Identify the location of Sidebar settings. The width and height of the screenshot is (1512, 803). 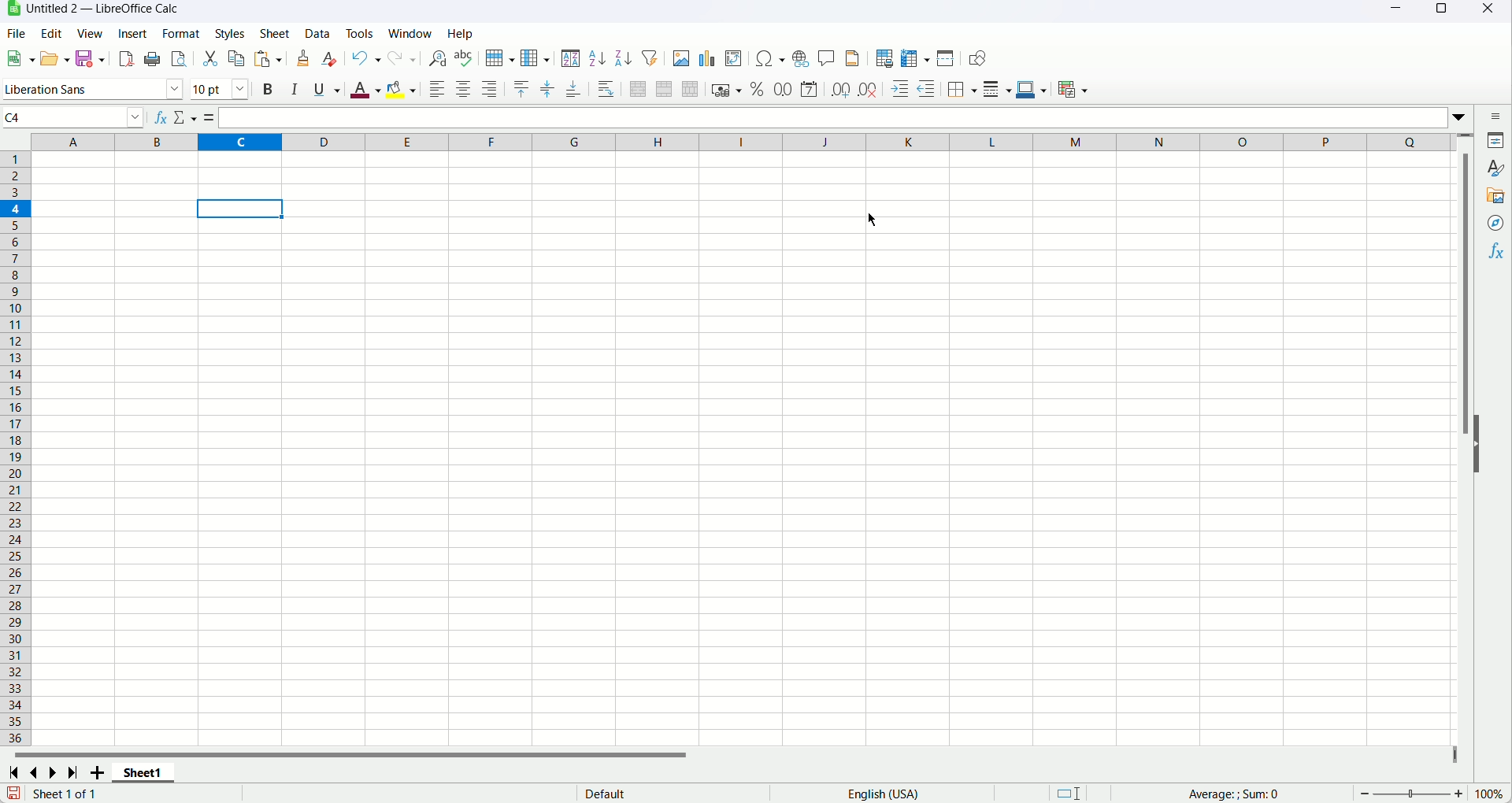
(1490, 116).